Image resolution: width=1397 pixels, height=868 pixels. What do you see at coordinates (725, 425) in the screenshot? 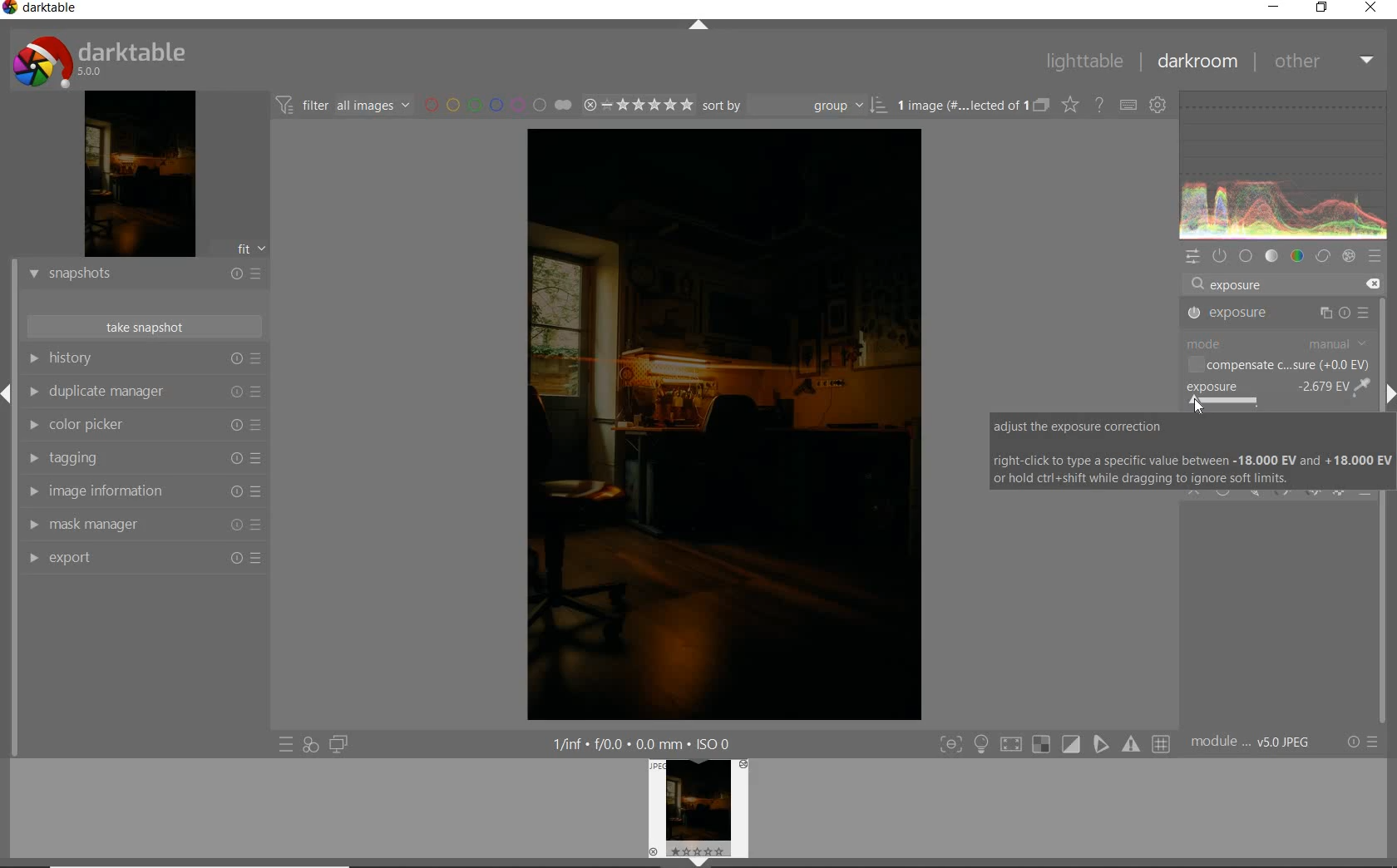
I see ` exposure blend mode for subtle lighting effects added` at bounding box center [725, 425].